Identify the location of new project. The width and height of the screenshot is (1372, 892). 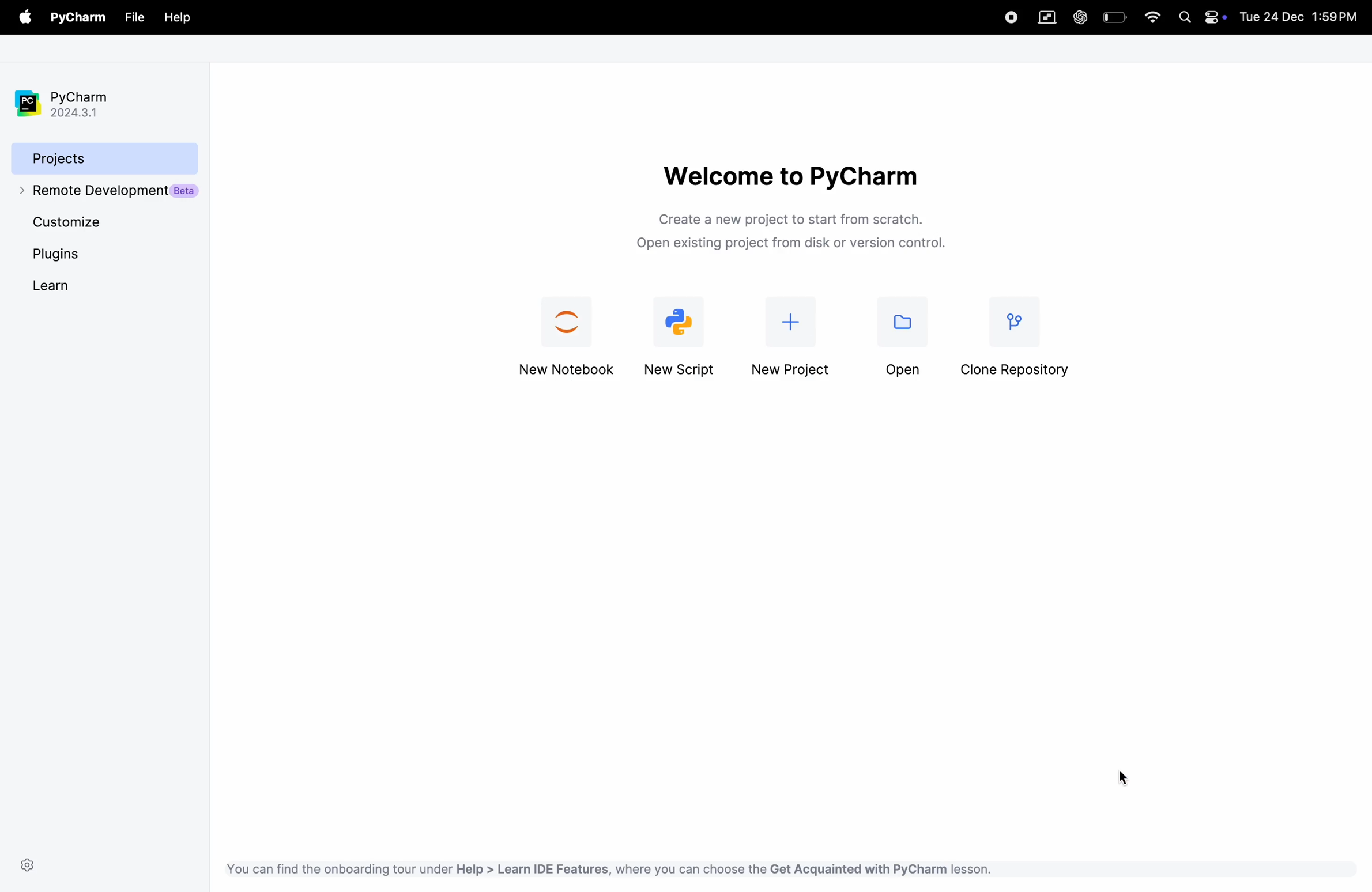
(790, 339).